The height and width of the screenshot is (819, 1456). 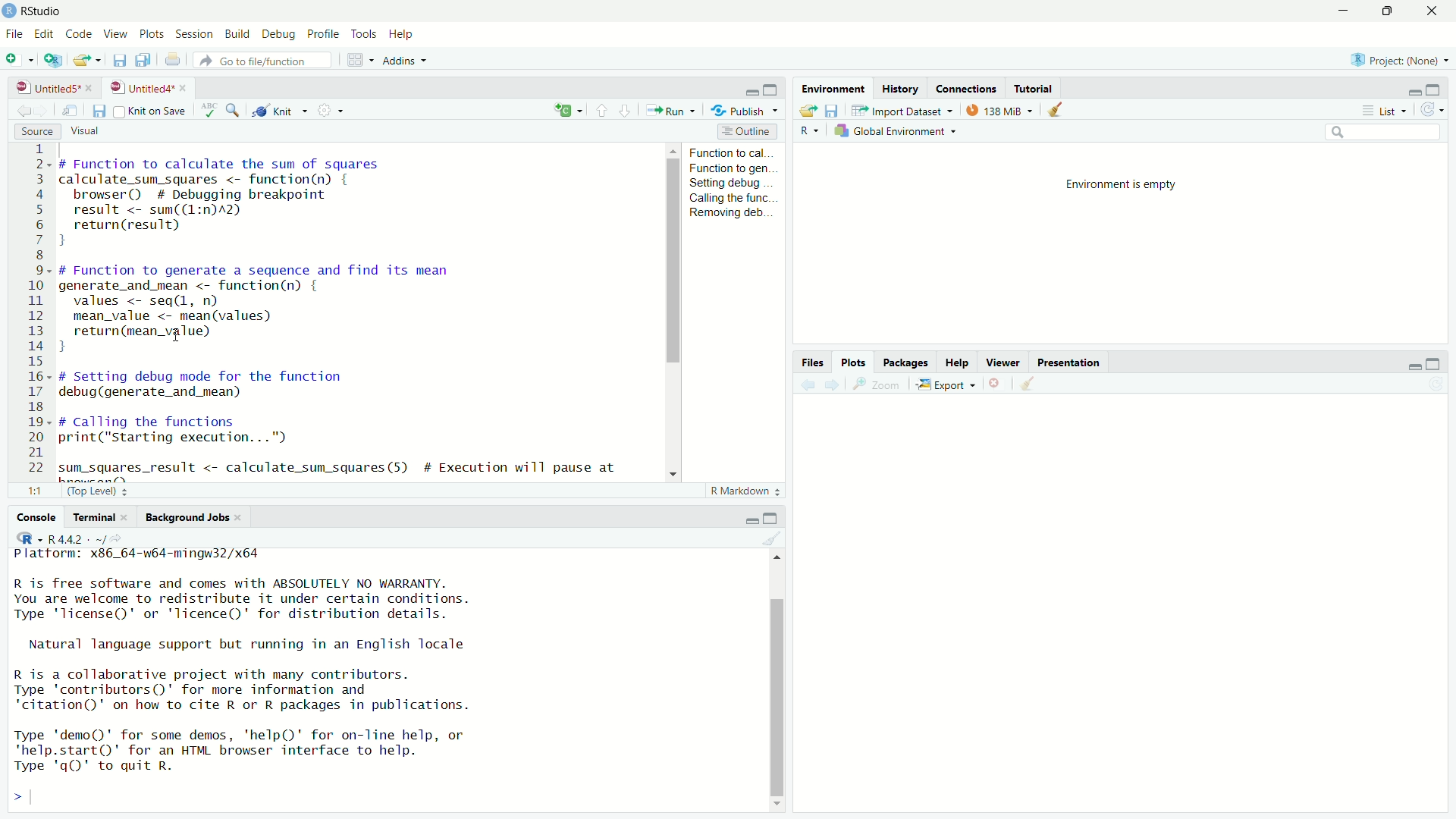 I want to click on publish, so click(x=748, y=110).